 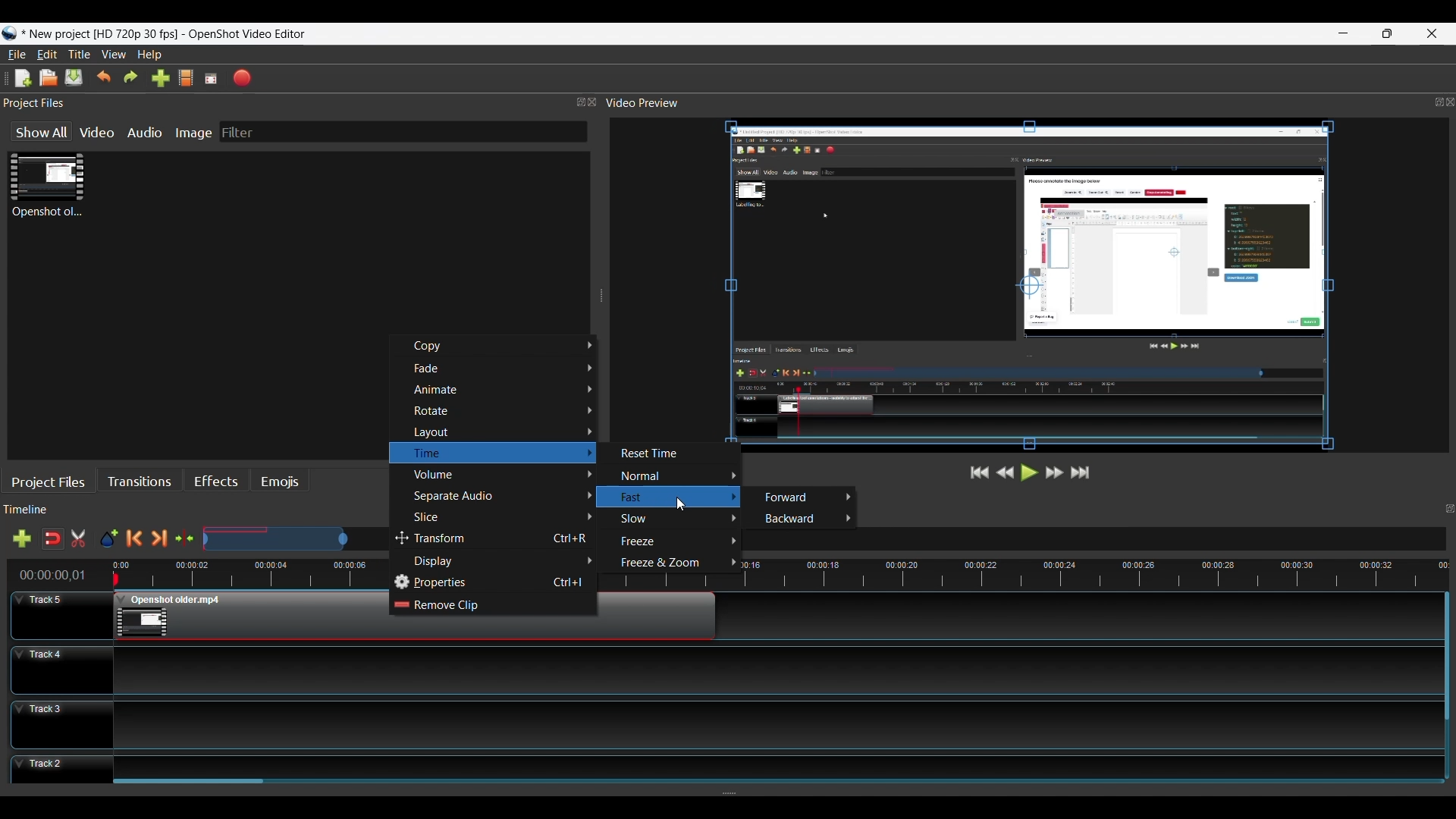 What do you see at coordinates (19, 78) in the screenshot?
I see `New File` at bounding box center [19, 78].